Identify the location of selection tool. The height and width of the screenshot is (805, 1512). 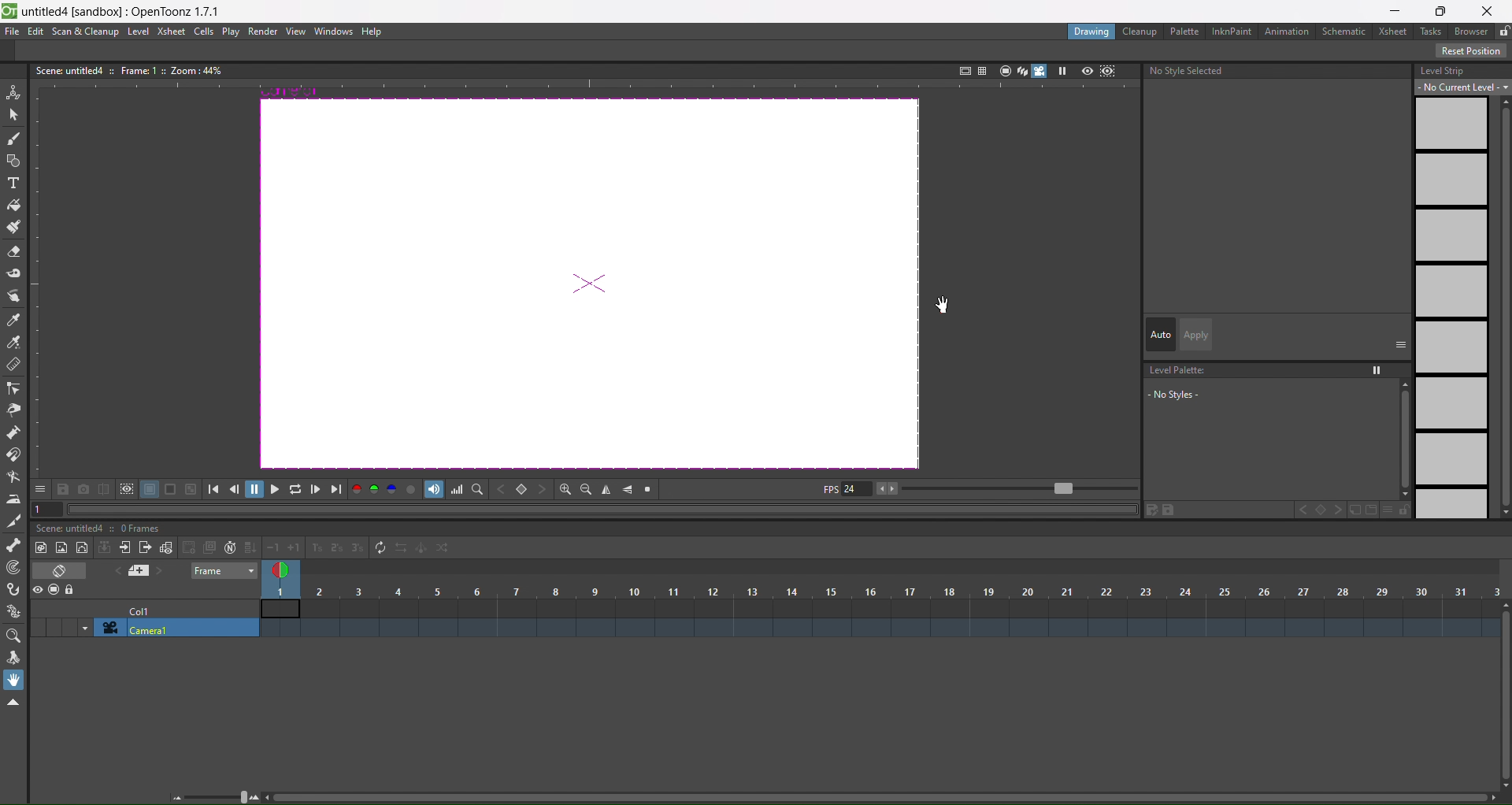
(14, 113).